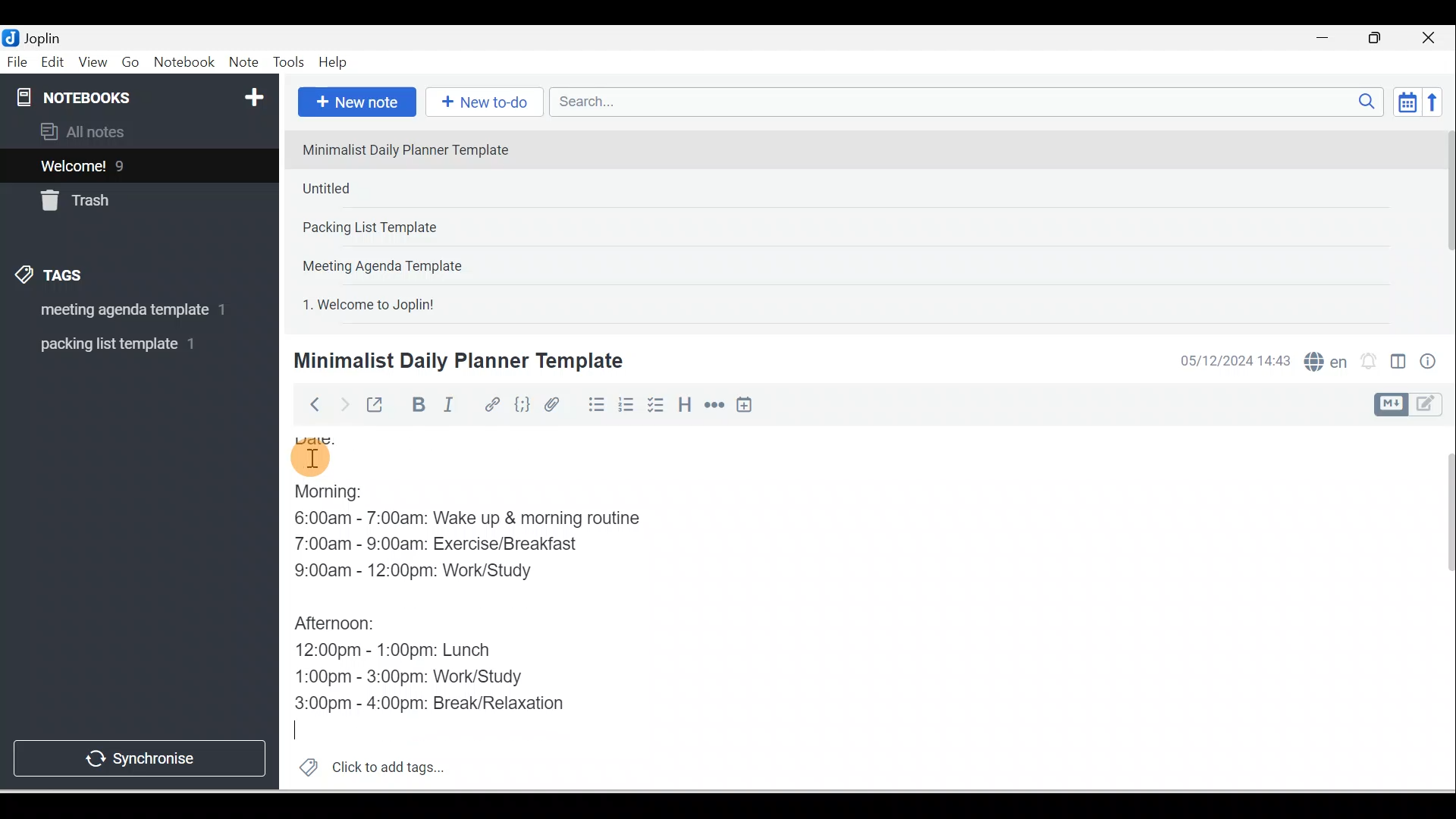 The width and height of the screenshot is (1456, 819). Describe the element at coordinates (744, 406) in the screenshot. I see `Insert time` at that location.